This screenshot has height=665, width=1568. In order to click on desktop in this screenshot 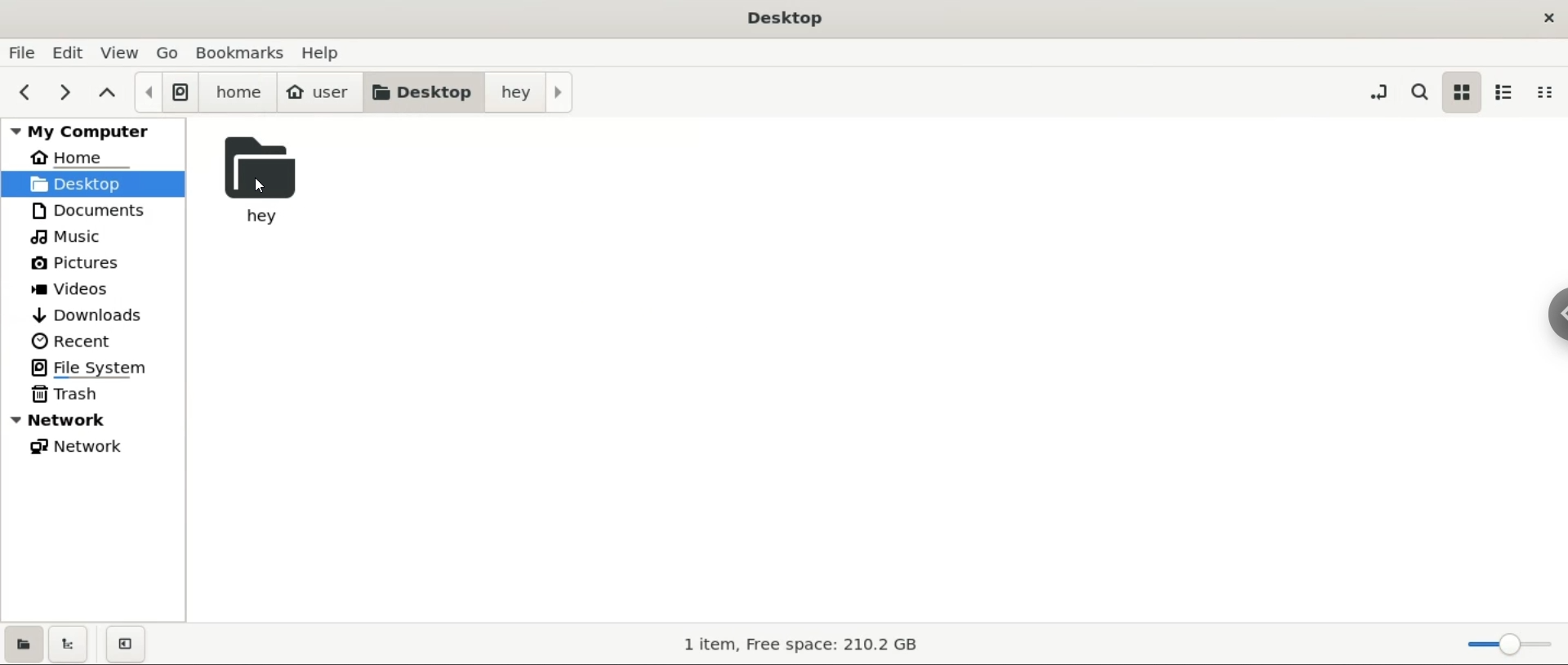, I will do `click(430, 91)`.